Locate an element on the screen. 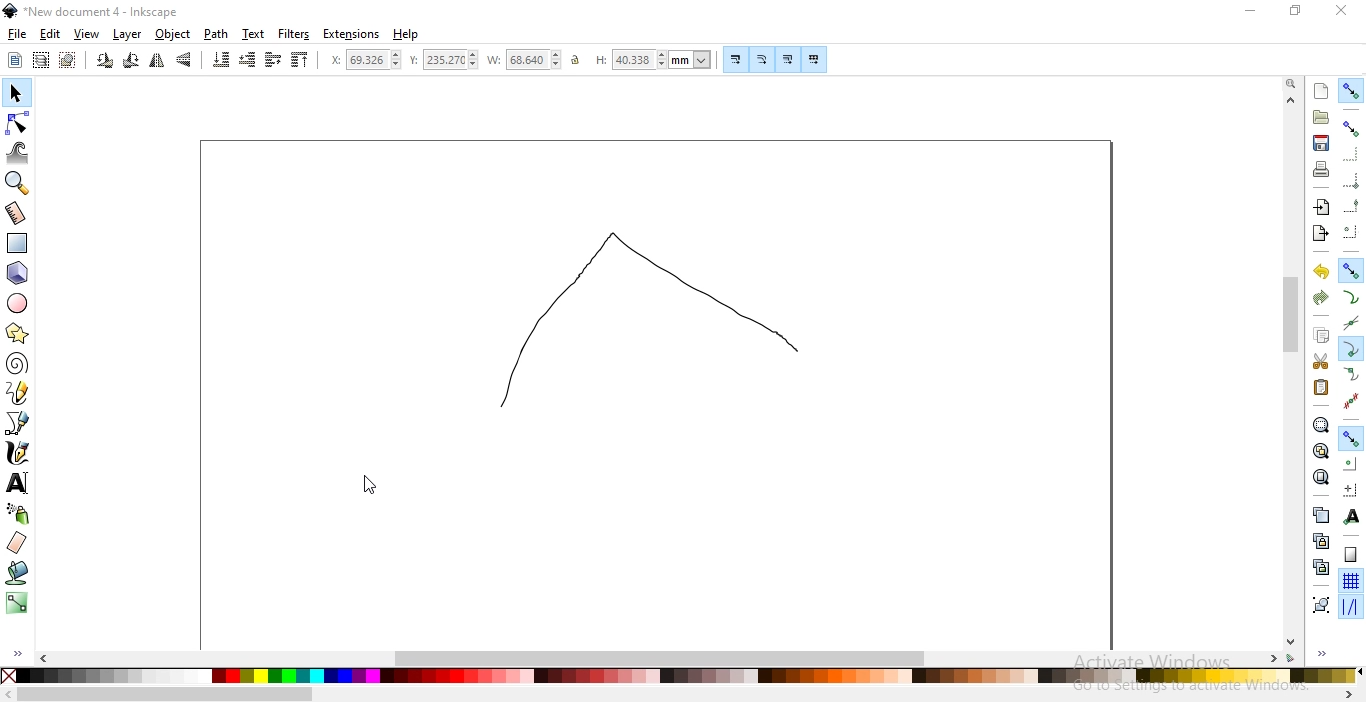 Image resolution: width=1366 pixels, height=702 pixels. undo is located at coordinates (1320, 270).